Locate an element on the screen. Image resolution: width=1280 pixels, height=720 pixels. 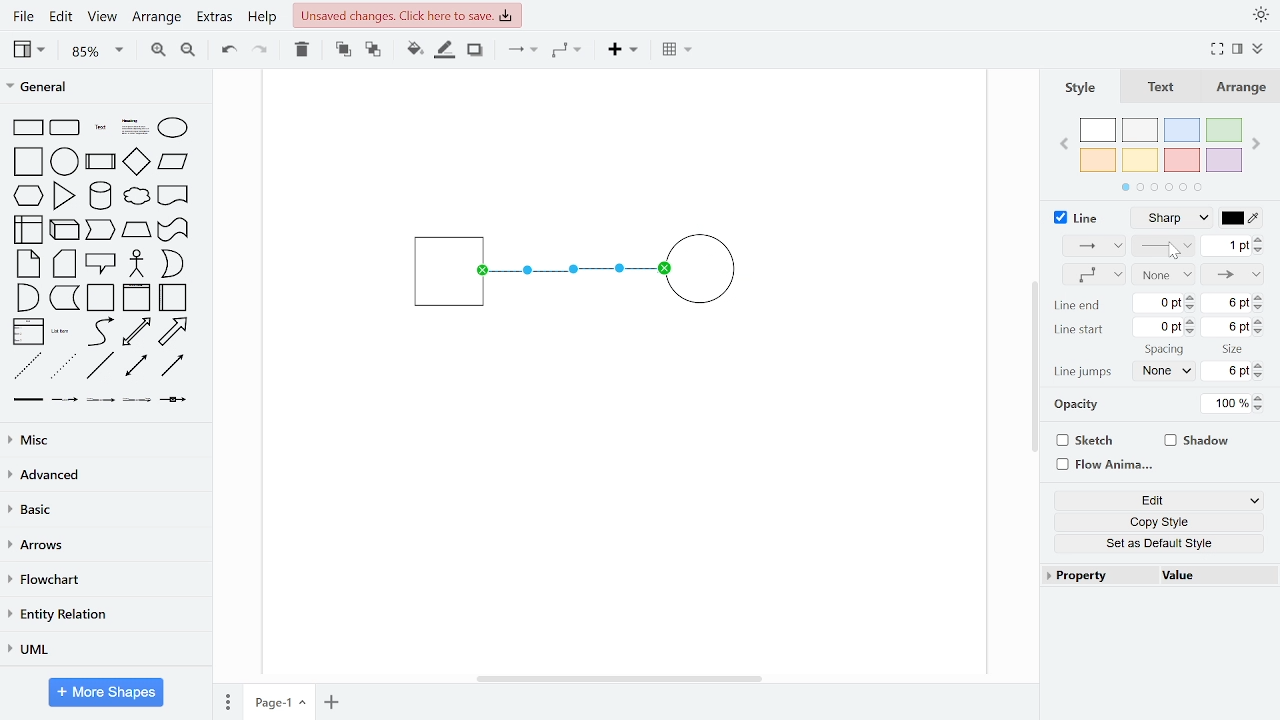
bidirectional connector is located at coordinates (138, 366).